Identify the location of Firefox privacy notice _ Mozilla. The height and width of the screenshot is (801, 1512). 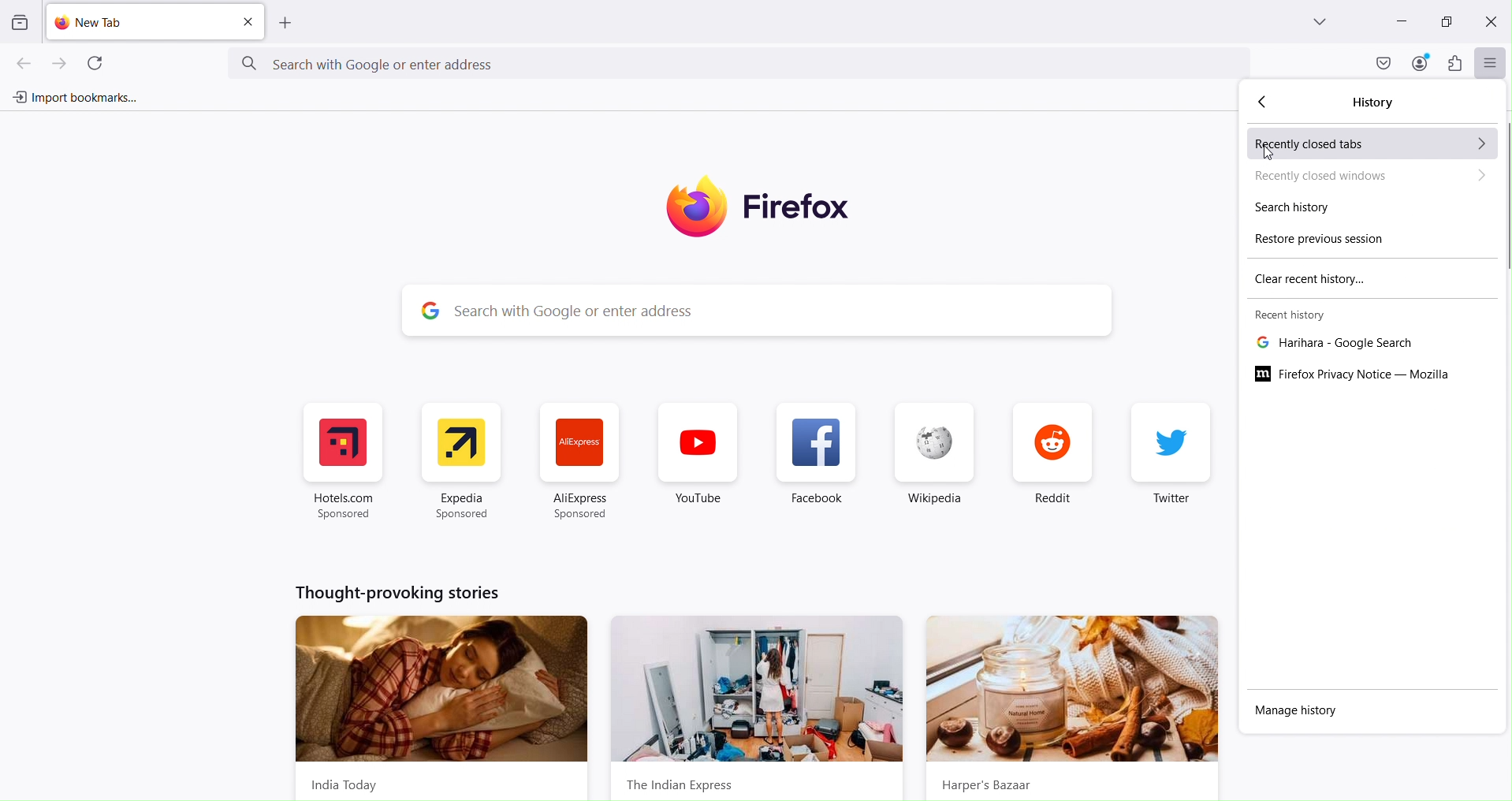
(1354, 374).